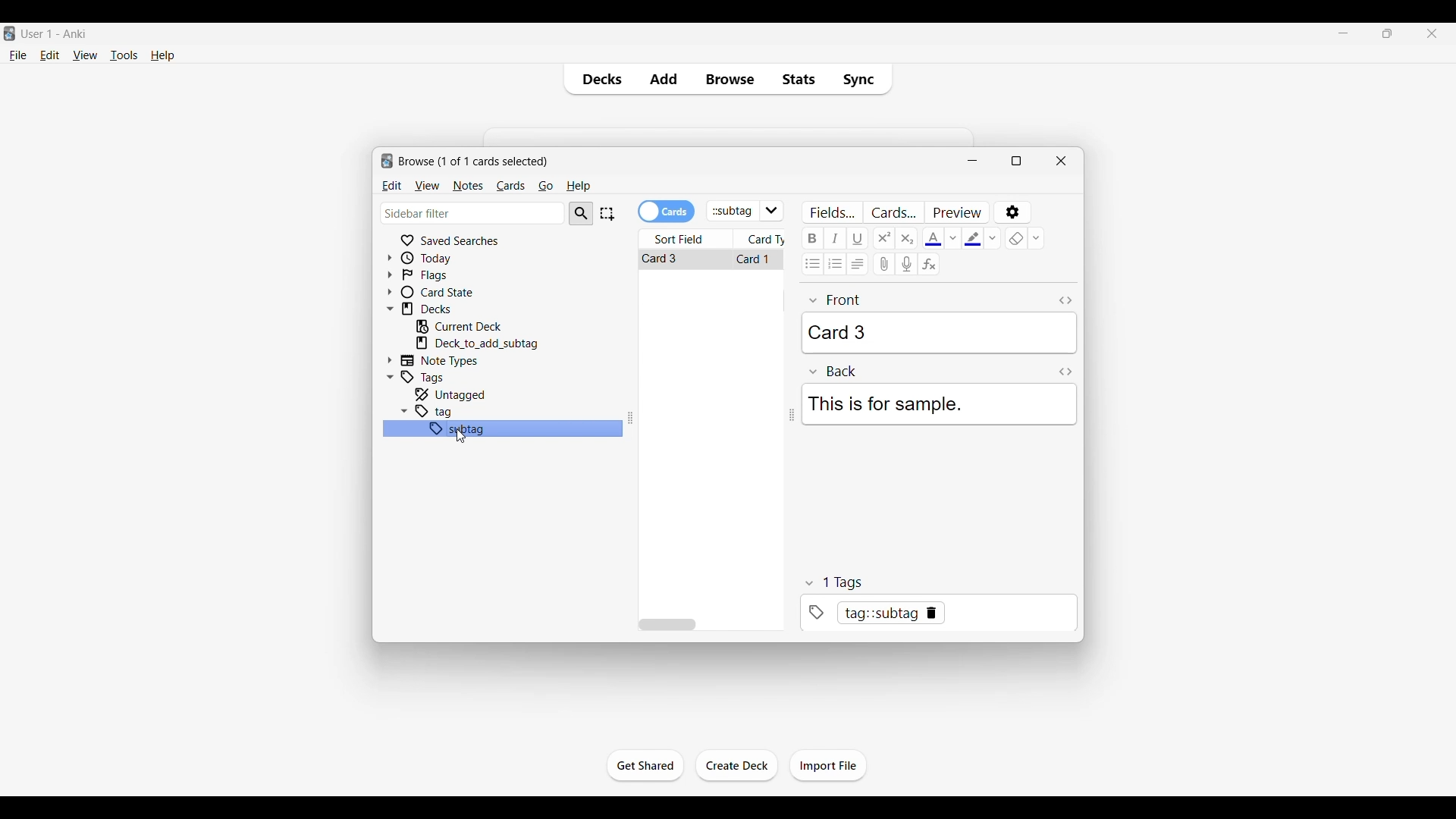  What do you see at coordinates (733, 212) in the screenshot?
I see `Click to type in search` at bounding box center [733, 212].